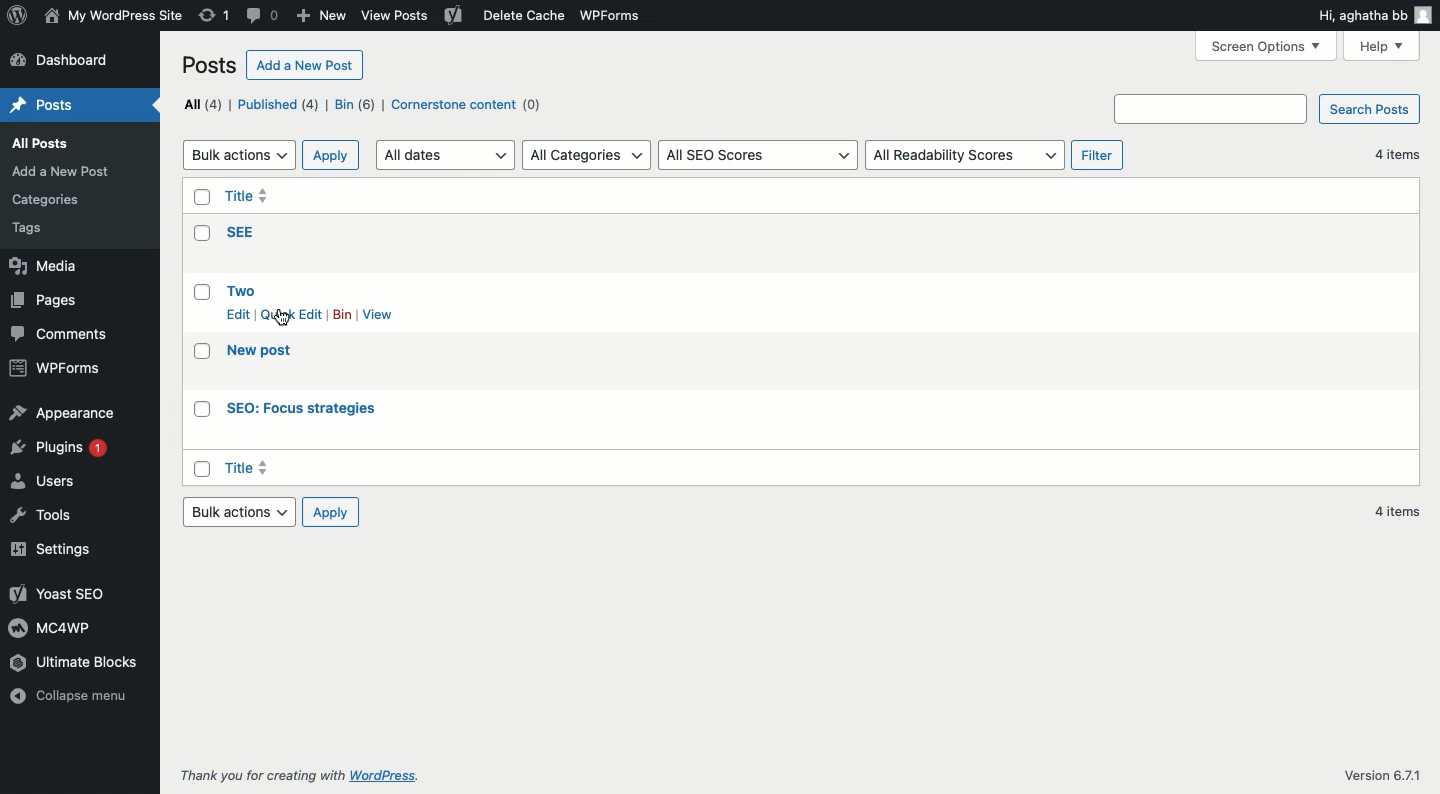 The width and height of the screenshot is (1440, 794). Describe the element at coordinates (67, 61) in the screenshot. I see `Dashboard` at that location.